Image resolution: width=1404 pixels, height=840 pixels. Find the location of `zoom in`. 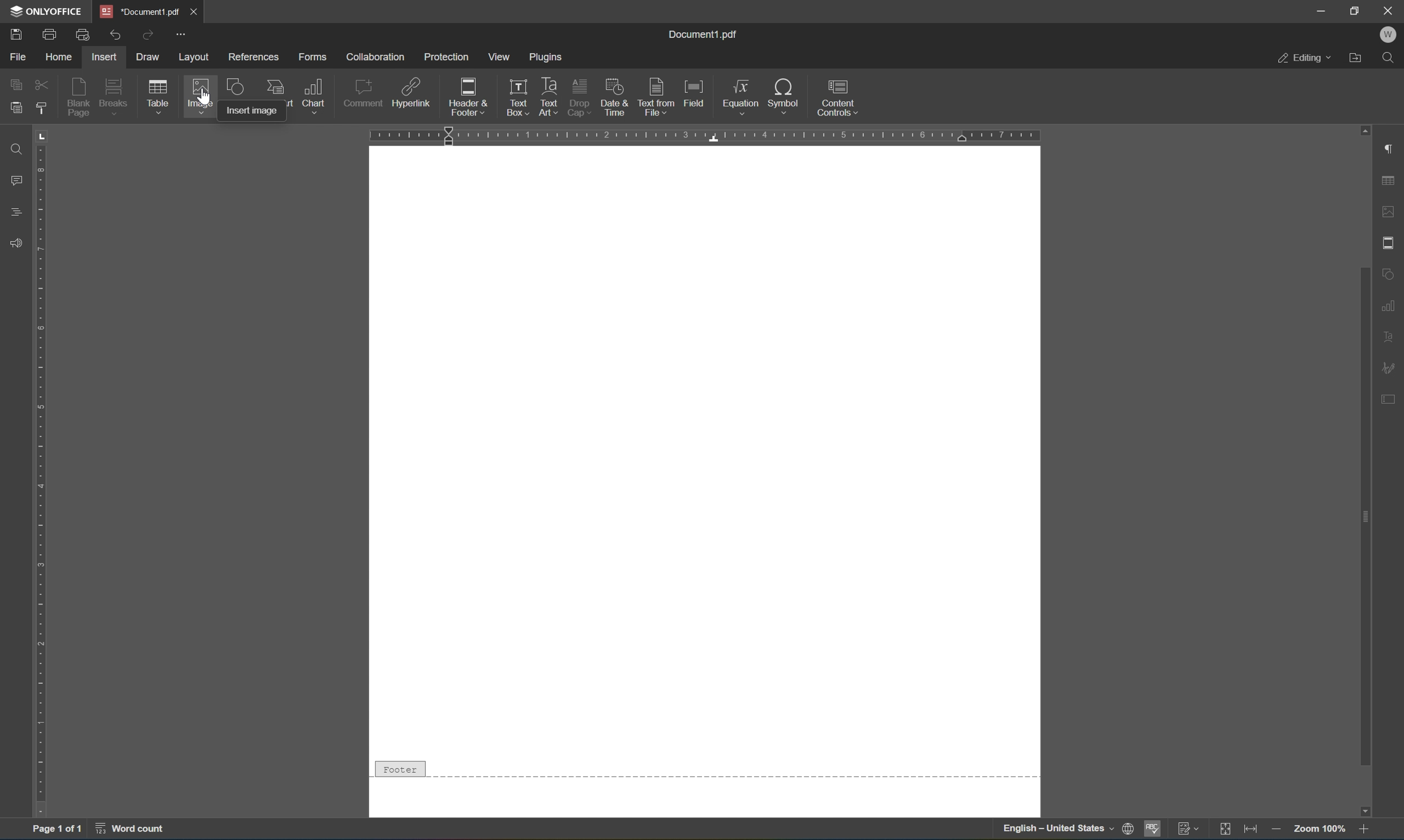

zoom in is located at coordinates (1367, 830).